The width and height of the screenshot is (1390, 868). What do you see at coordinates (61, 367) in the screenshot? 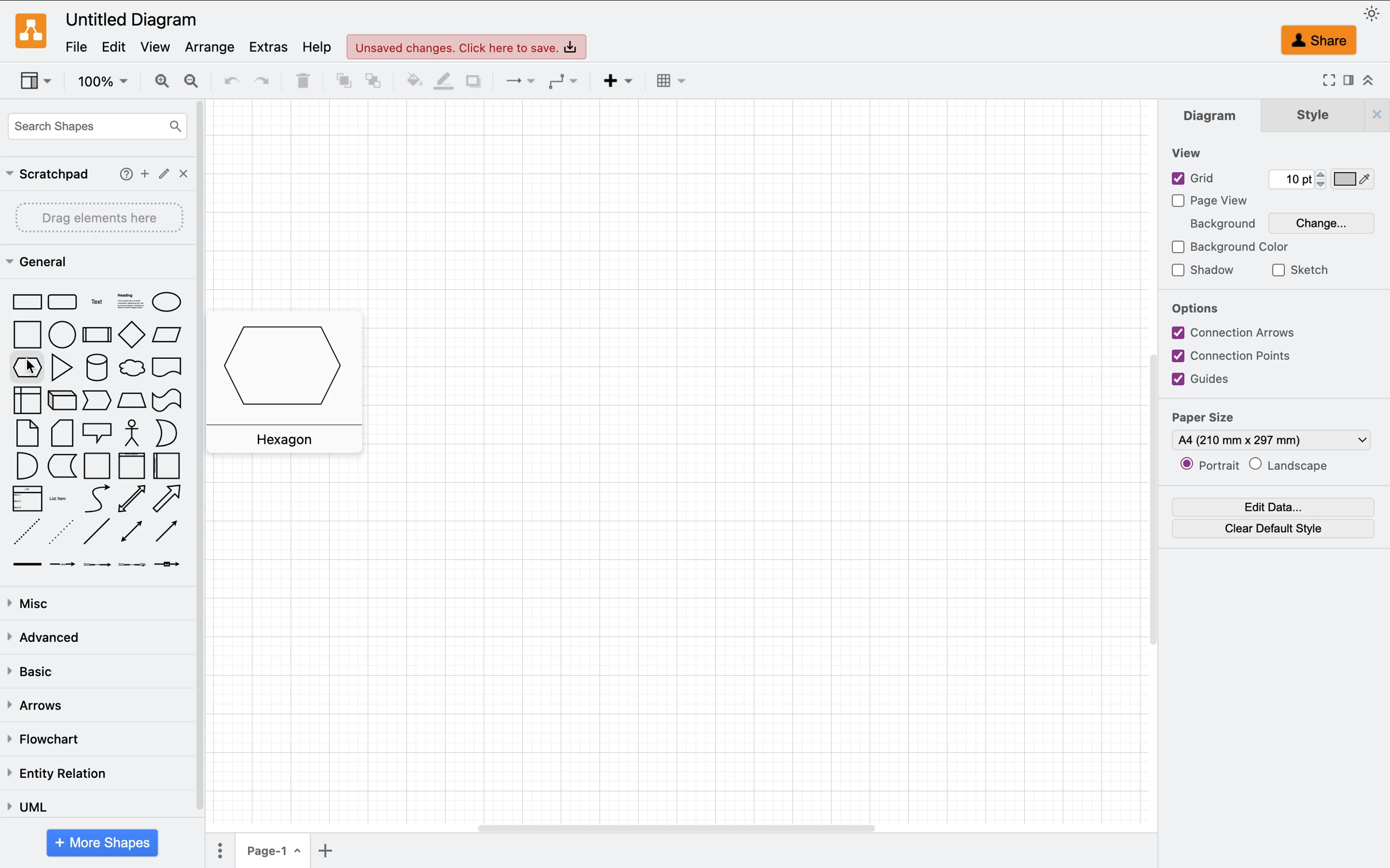
I see `triangle` at bounding box center [61, 367].